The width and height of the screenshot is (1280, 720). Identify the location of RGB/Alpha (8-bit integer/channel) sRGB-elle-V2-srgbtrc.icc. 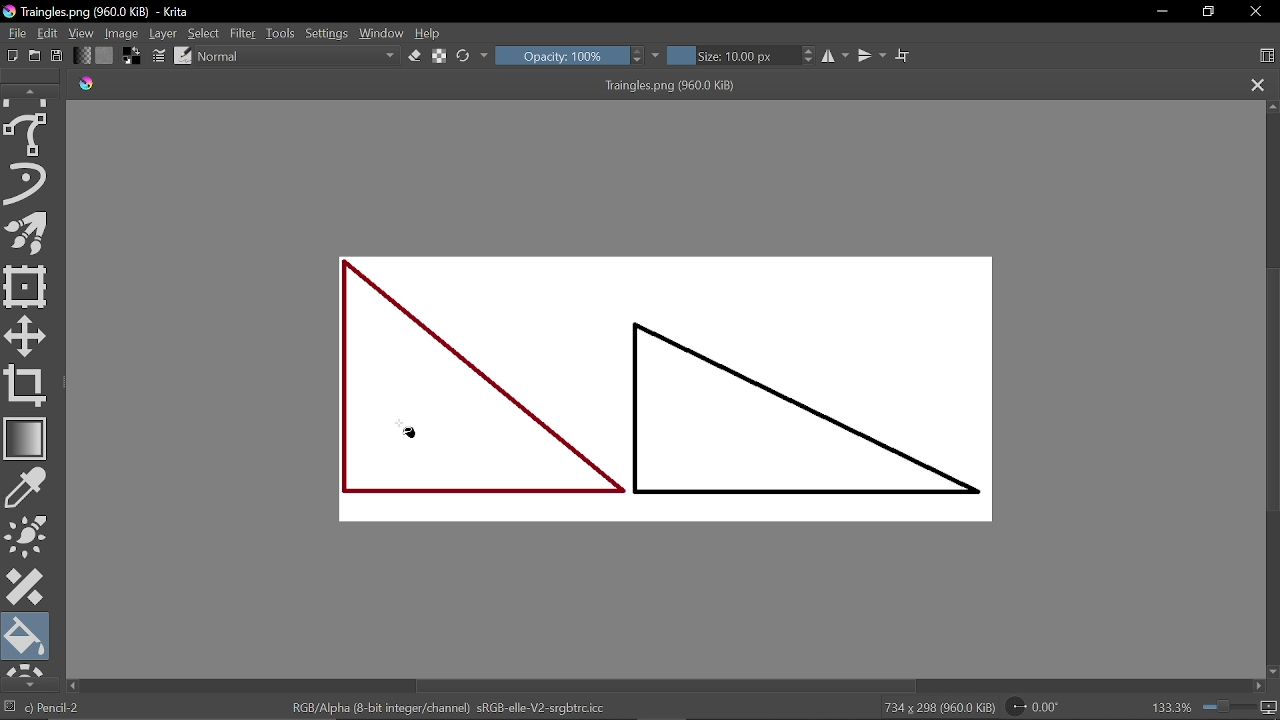
(444, 709).